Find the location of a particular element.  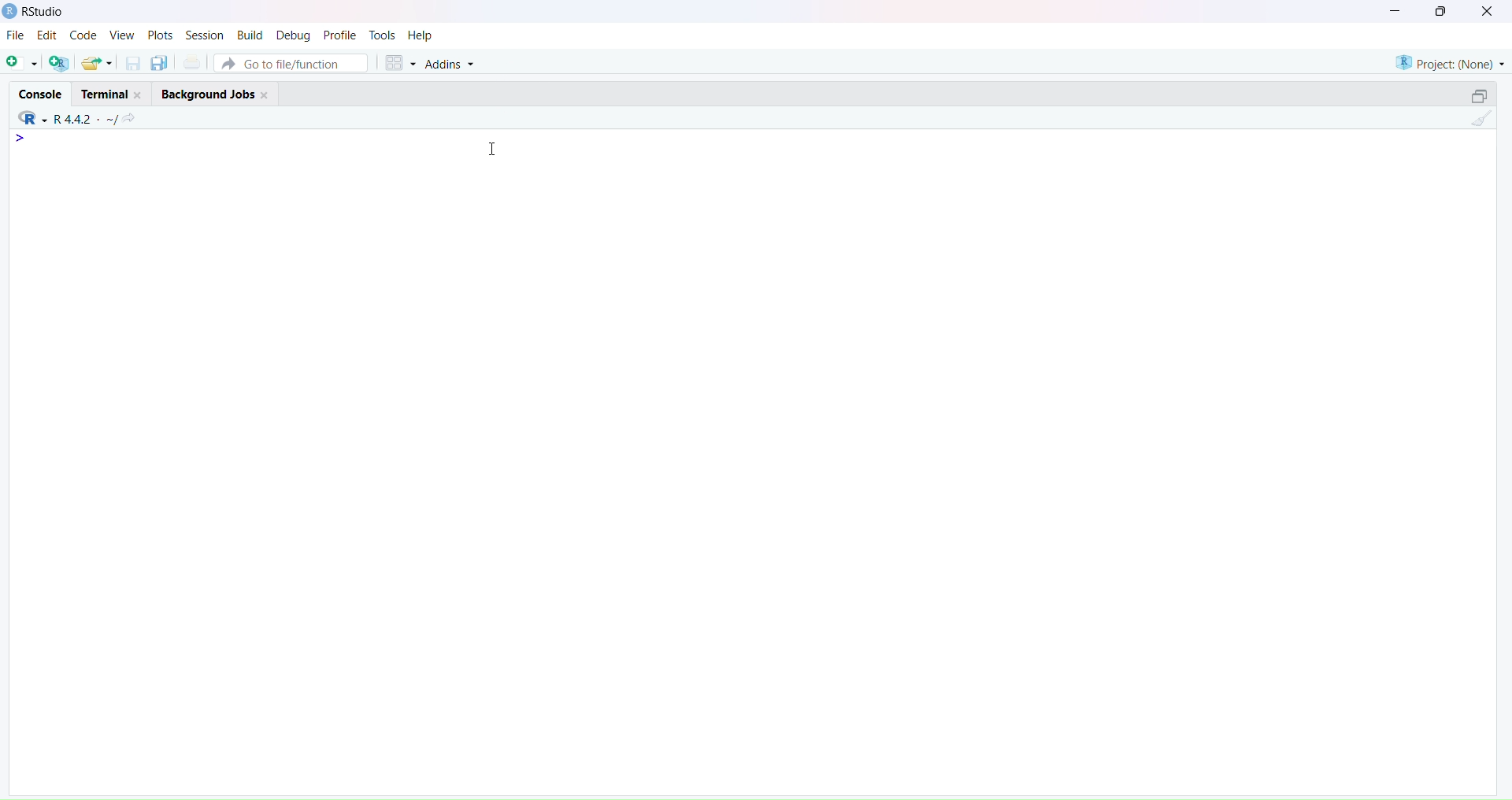

console editor is located at coordinates (111, 172).